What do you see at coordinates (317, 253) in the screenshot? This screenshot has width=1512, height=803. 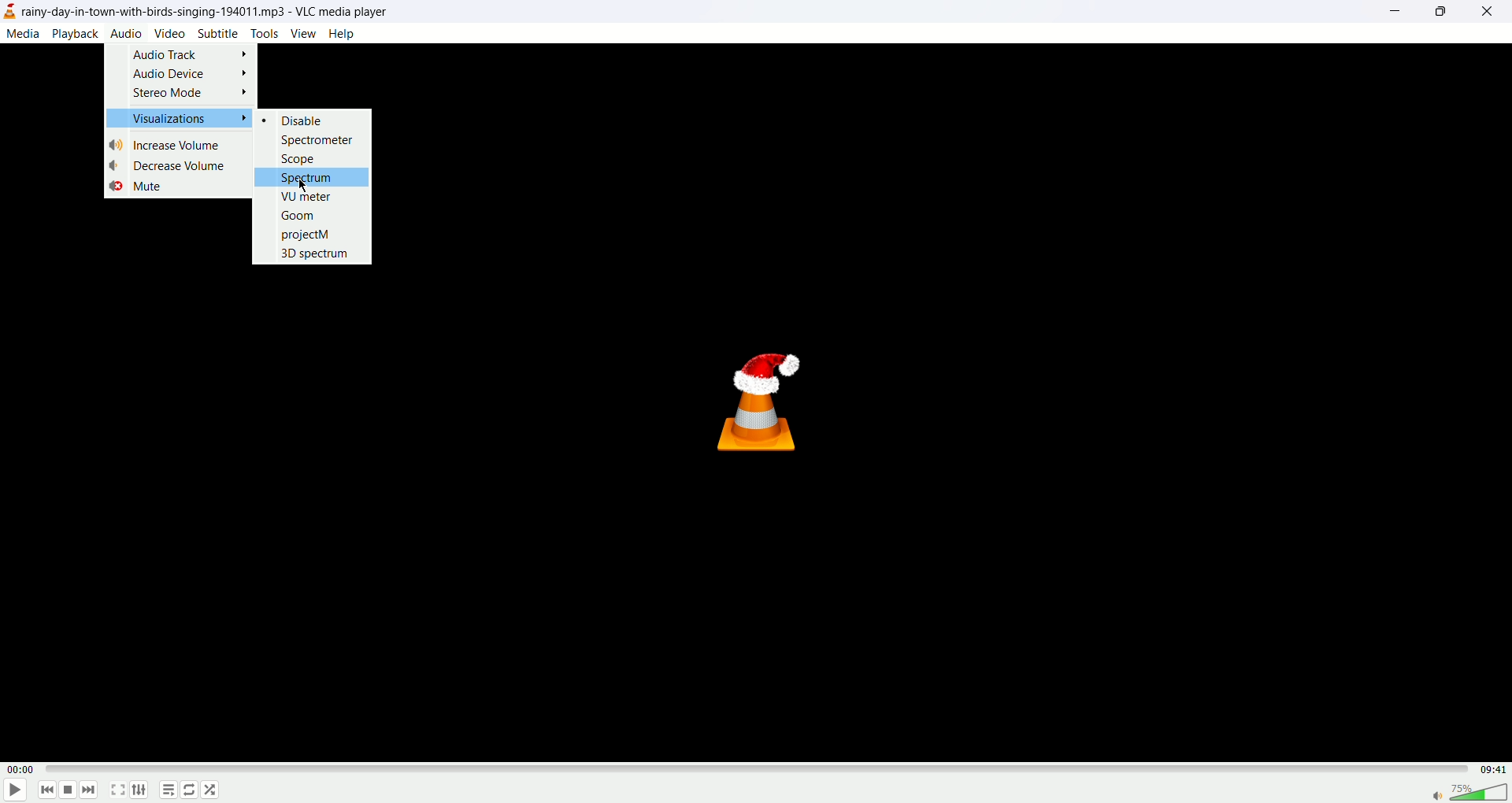 I see `3D SPECTRUM` at bounding box center [317, 253].